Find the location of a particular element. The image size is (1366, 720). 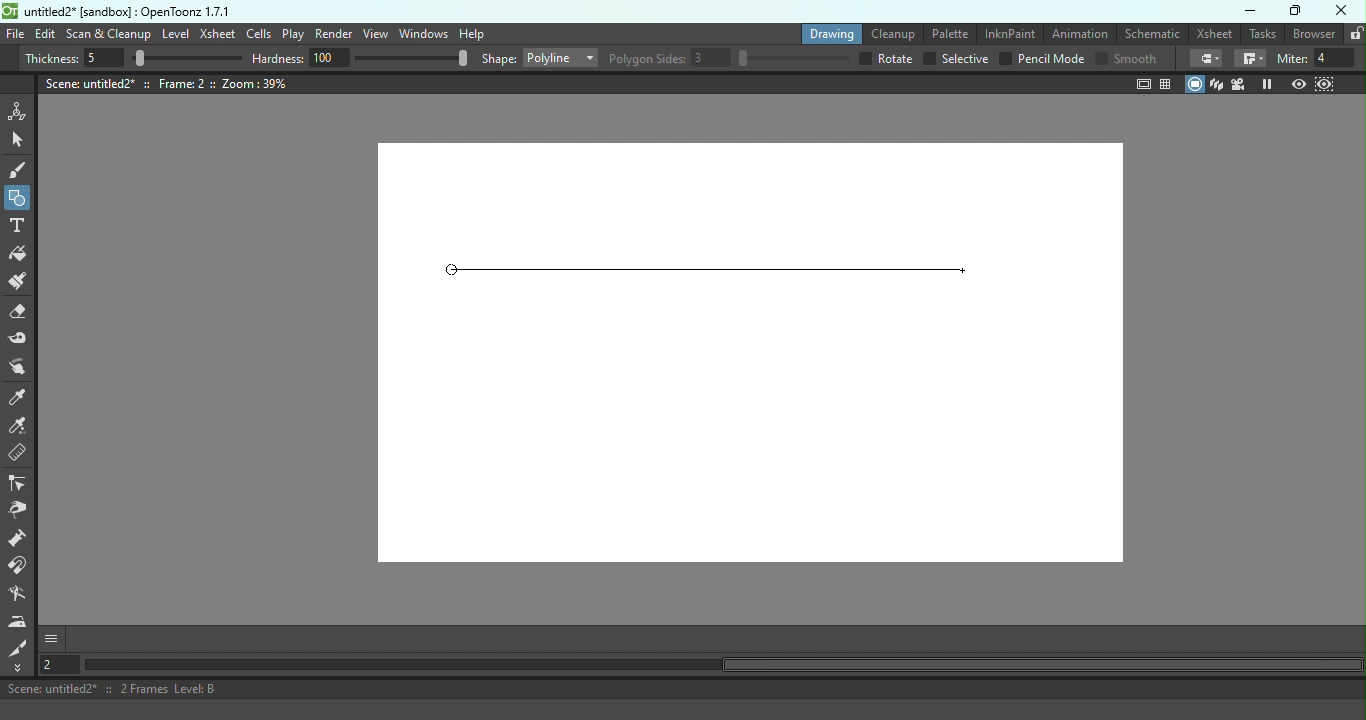

Tasks is located at coordinates (1263, 34).